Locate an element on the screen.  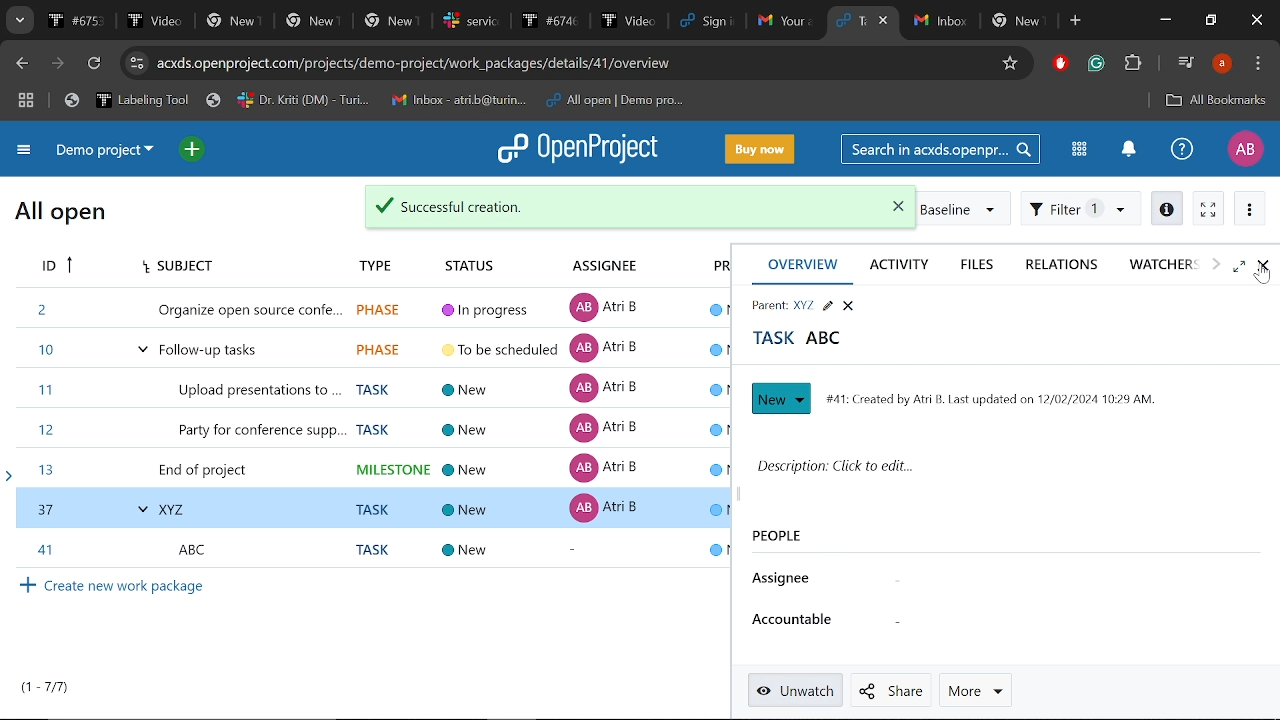
Refresh is located at coordinates (97, 64).